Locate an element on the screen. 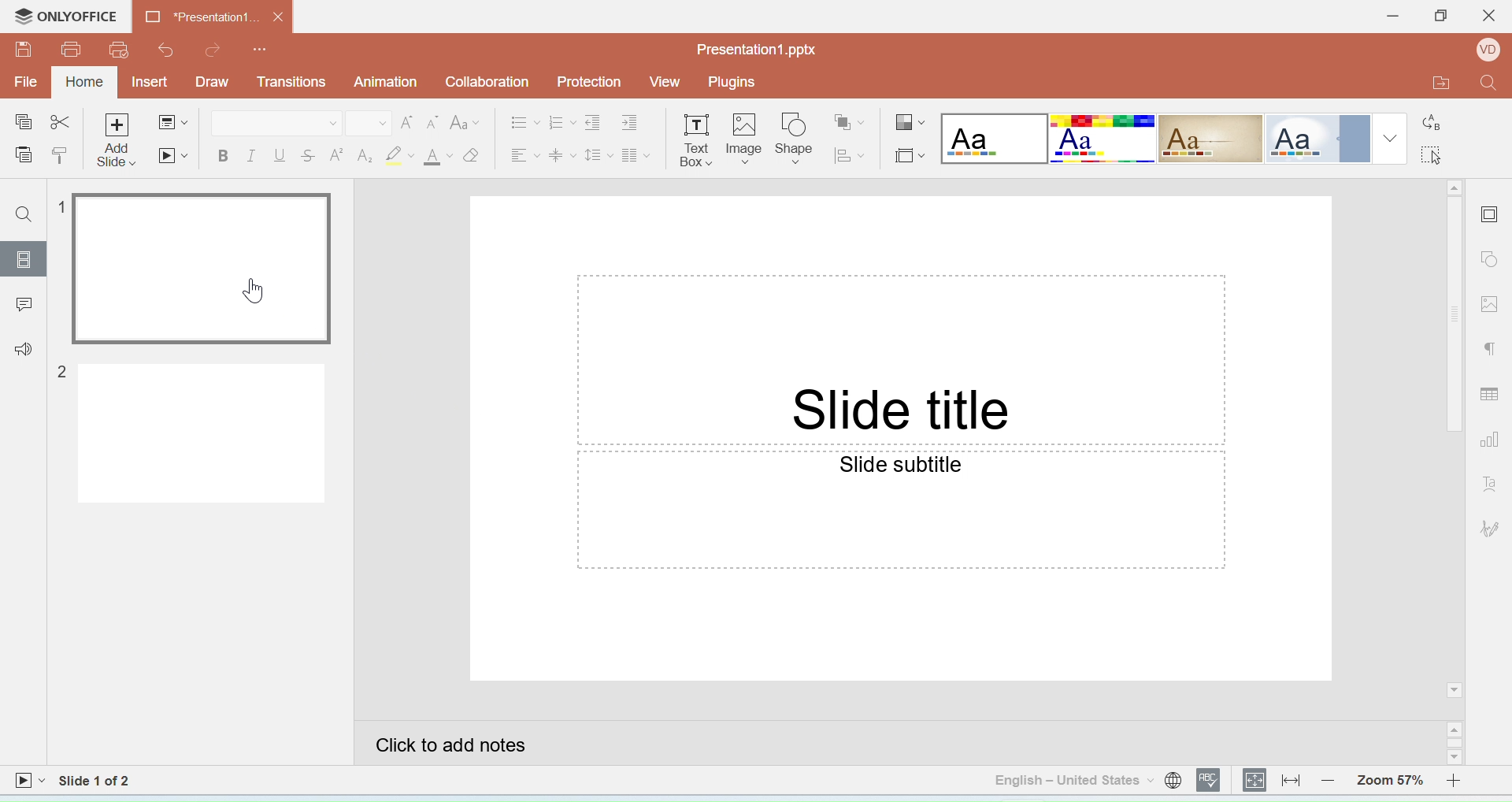  Plugins is located at coordinates (736, 82).